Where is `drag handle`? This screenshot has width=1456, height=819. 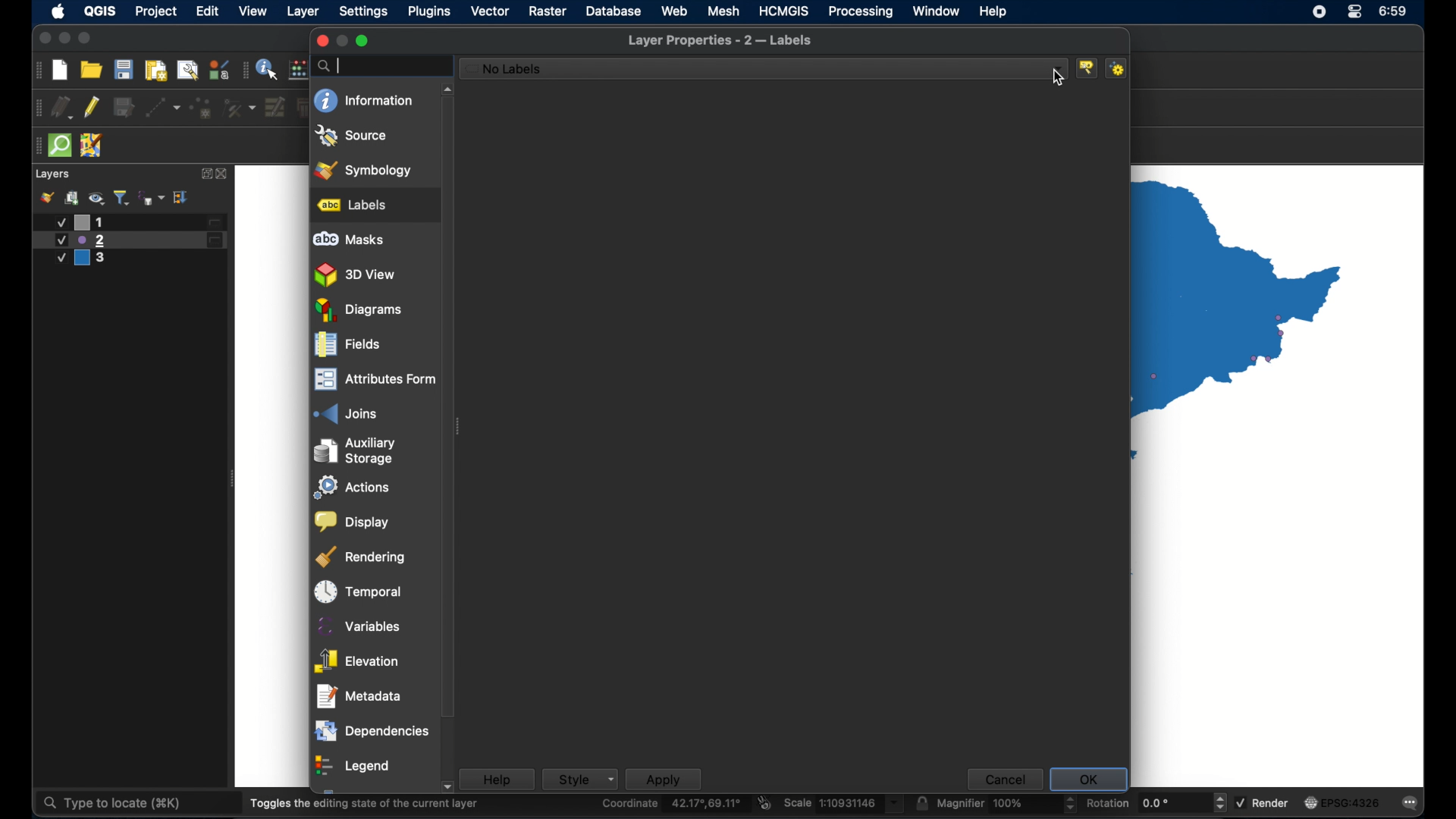
drag handle is located at coordinates (245, 69).